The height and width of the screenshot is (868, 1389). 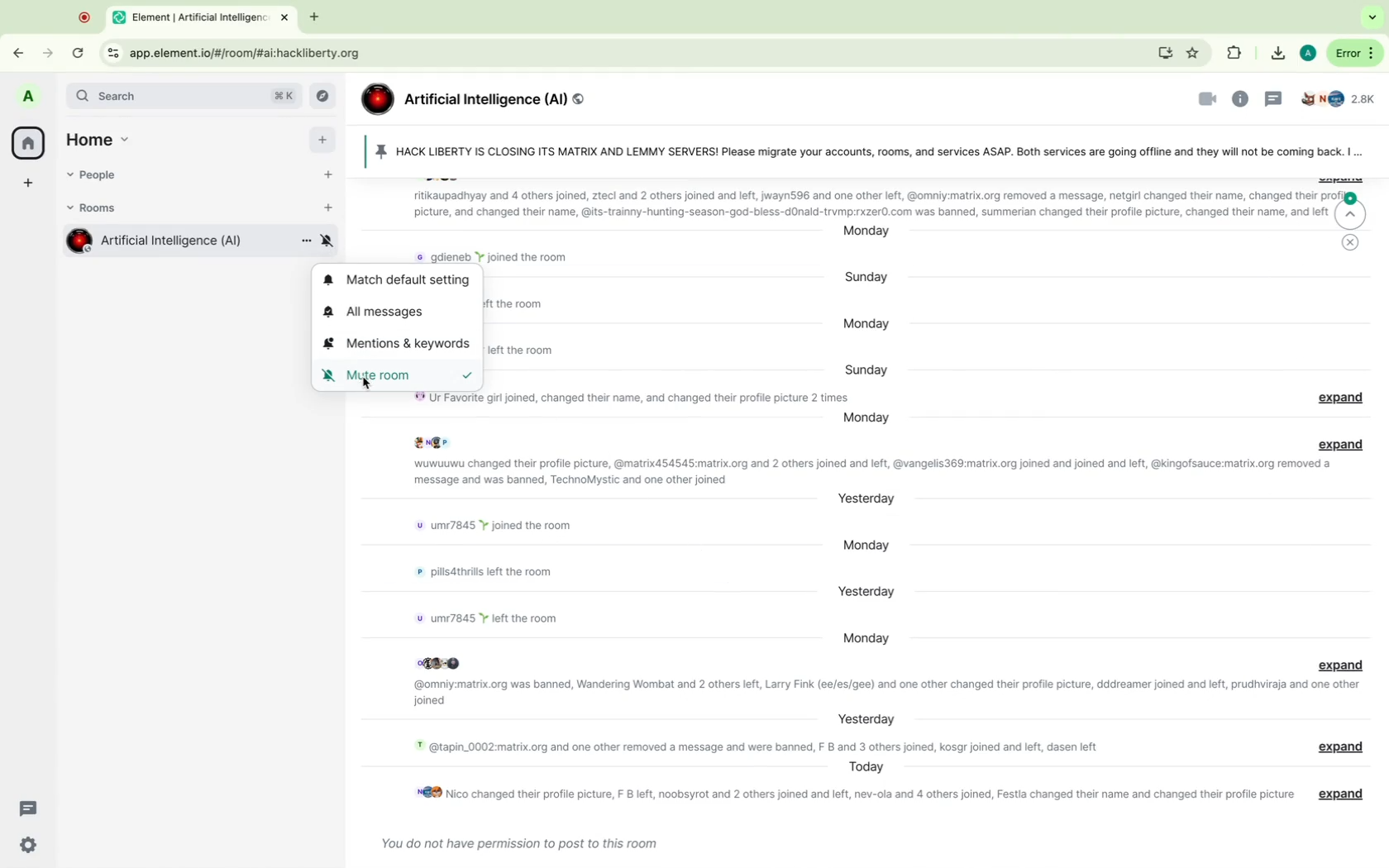 What do you see at coordinates (321, 139) in the screenshot?
I see `add` at bounding box center [321, 139].